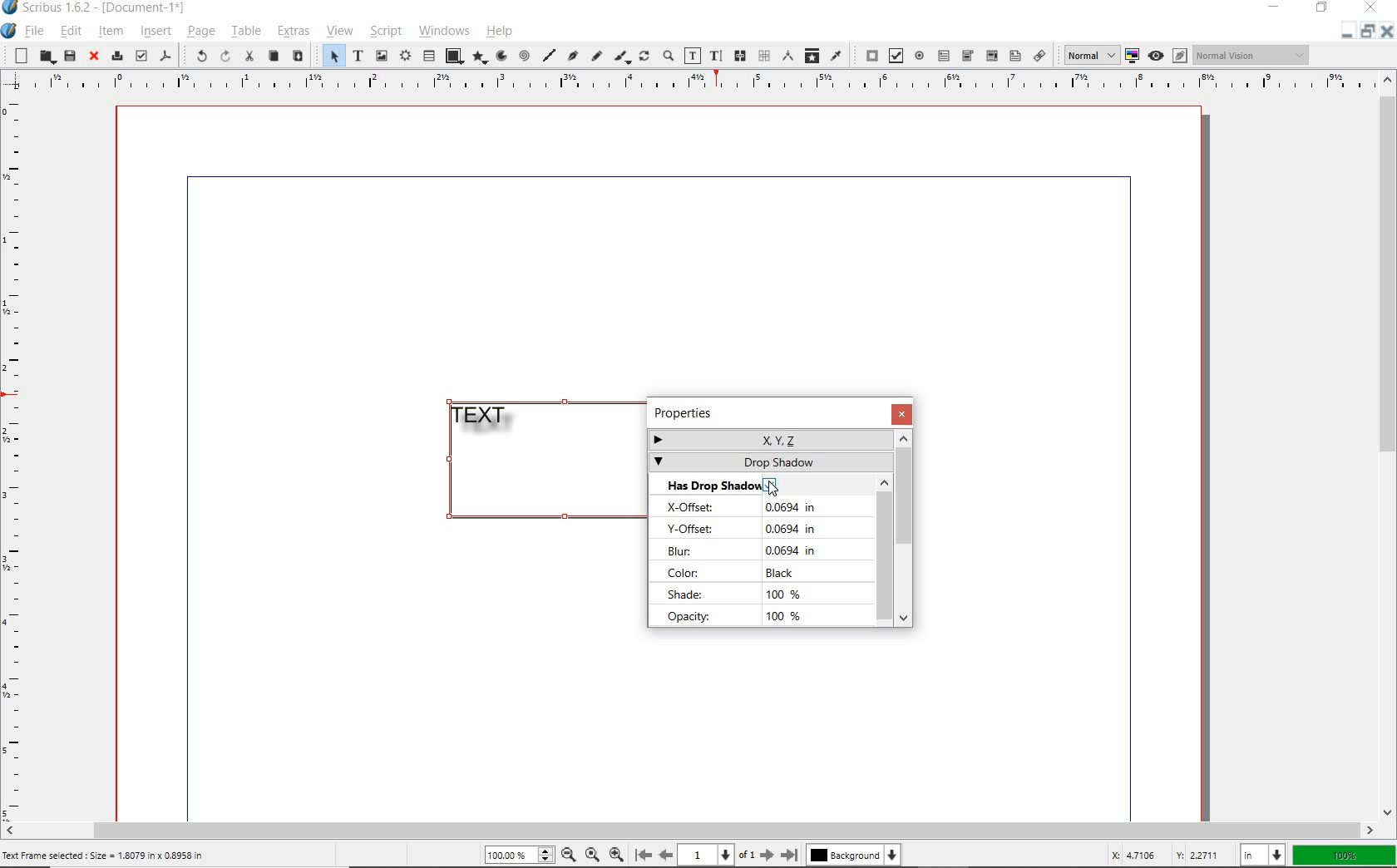  I want to click on page, so click(200, 33).